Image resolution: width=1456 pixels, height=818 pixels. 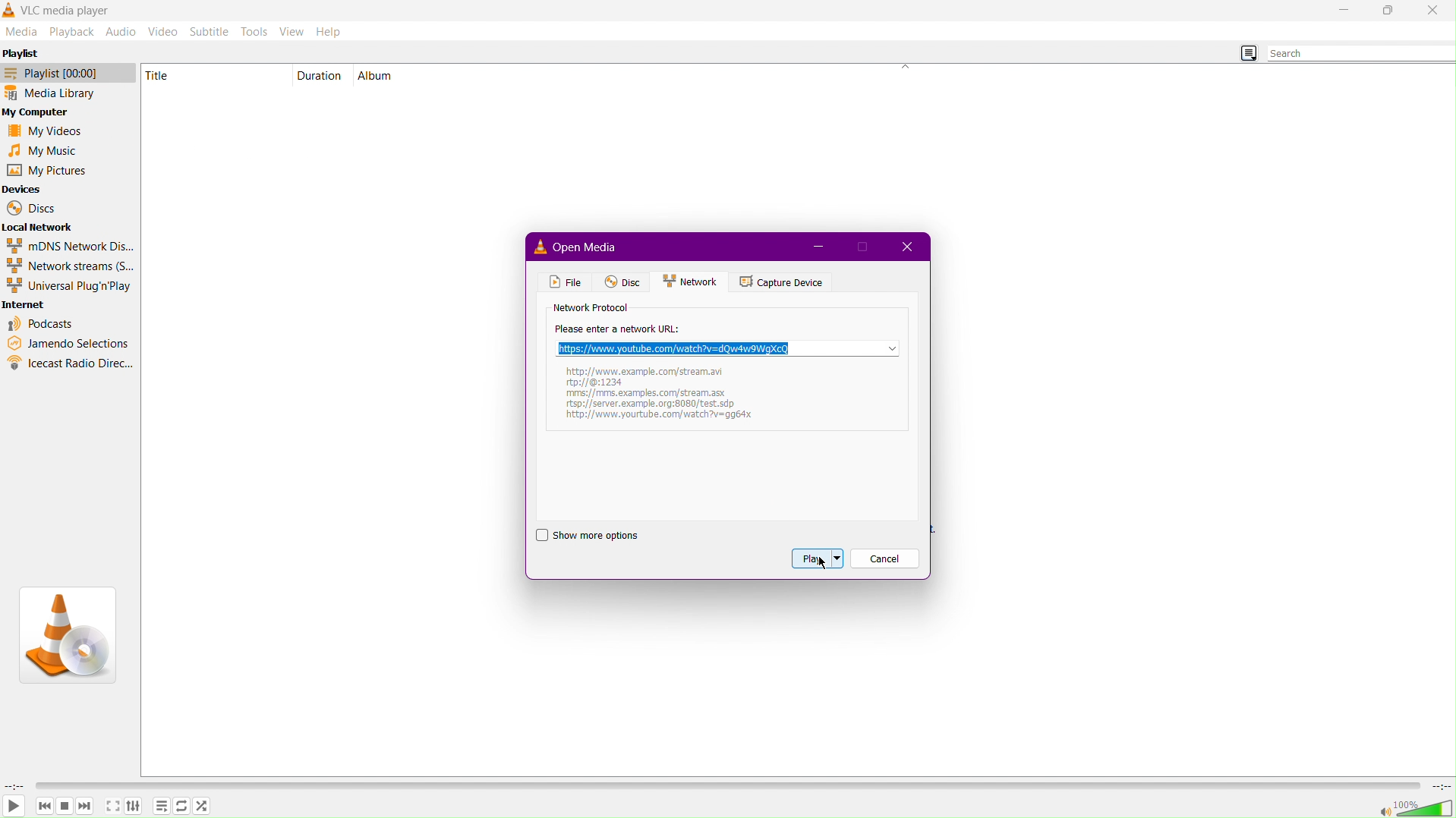 What do you see at coordinates (658, 420) in the screenshot?
I see `rtsp://server.example.org:8080/test.sdp` at bounding box center [658, 420].